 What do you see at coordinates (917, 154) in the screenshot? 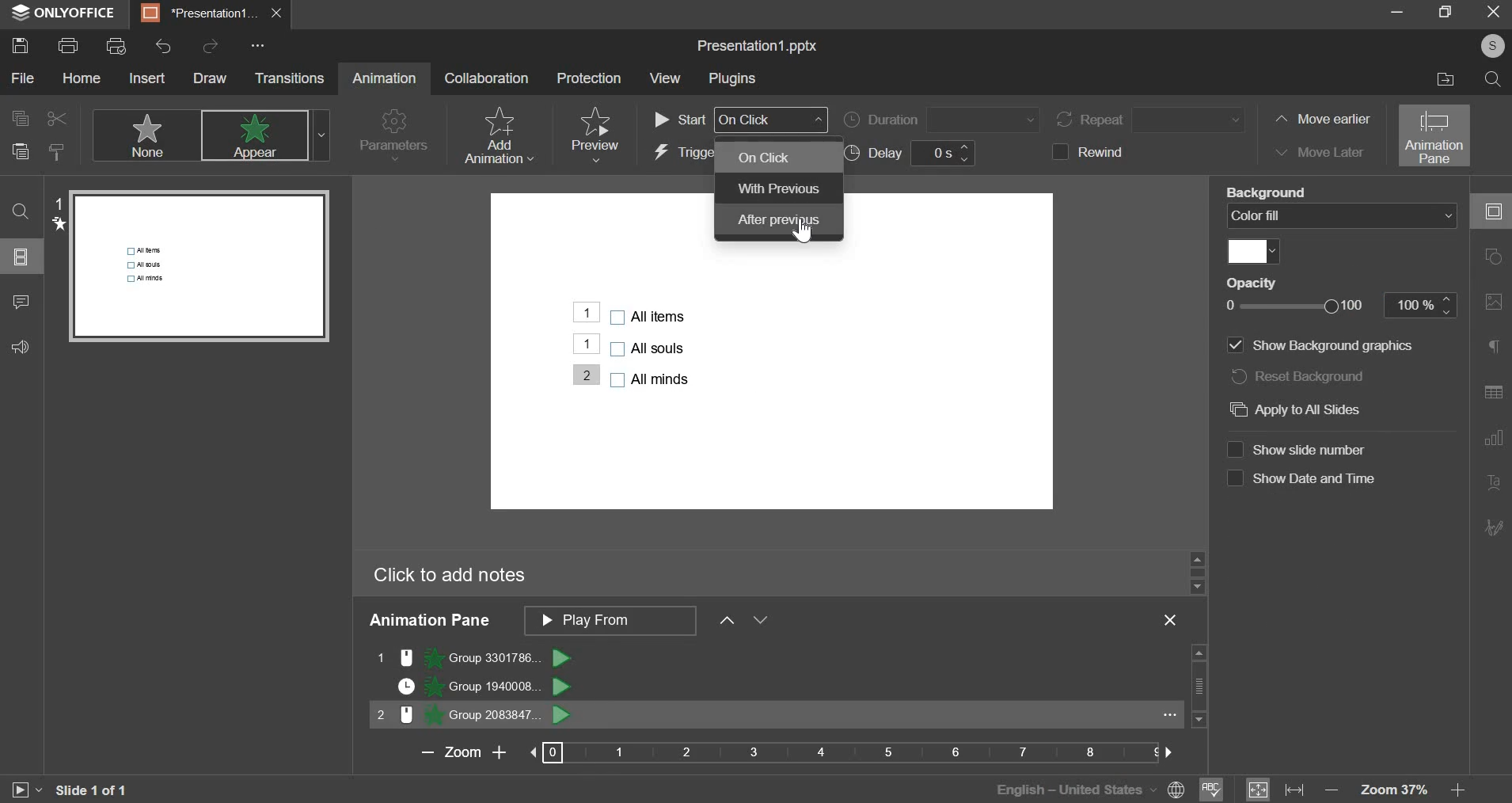
I see `delay` at bounding box center [917, 154].